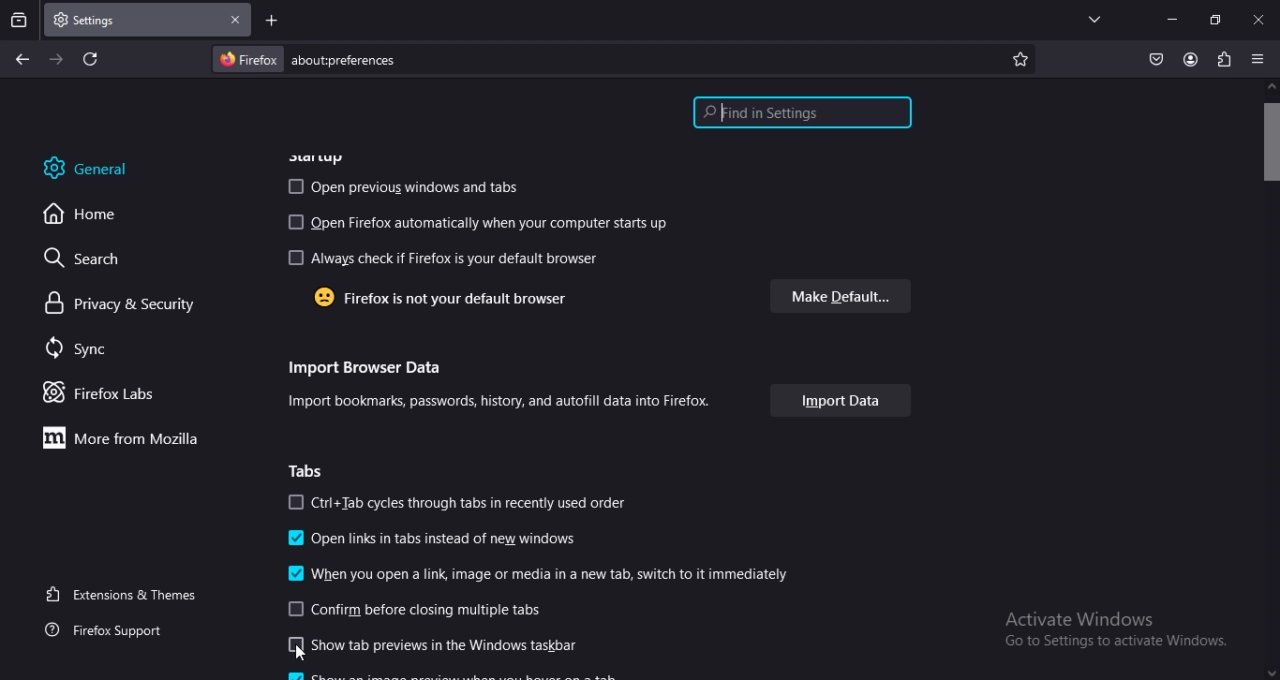 This screenshot has height=680, width=1280. Describe the element at coordinates (1153, 57) in the screenshot. I see `save to pocket` at that location.